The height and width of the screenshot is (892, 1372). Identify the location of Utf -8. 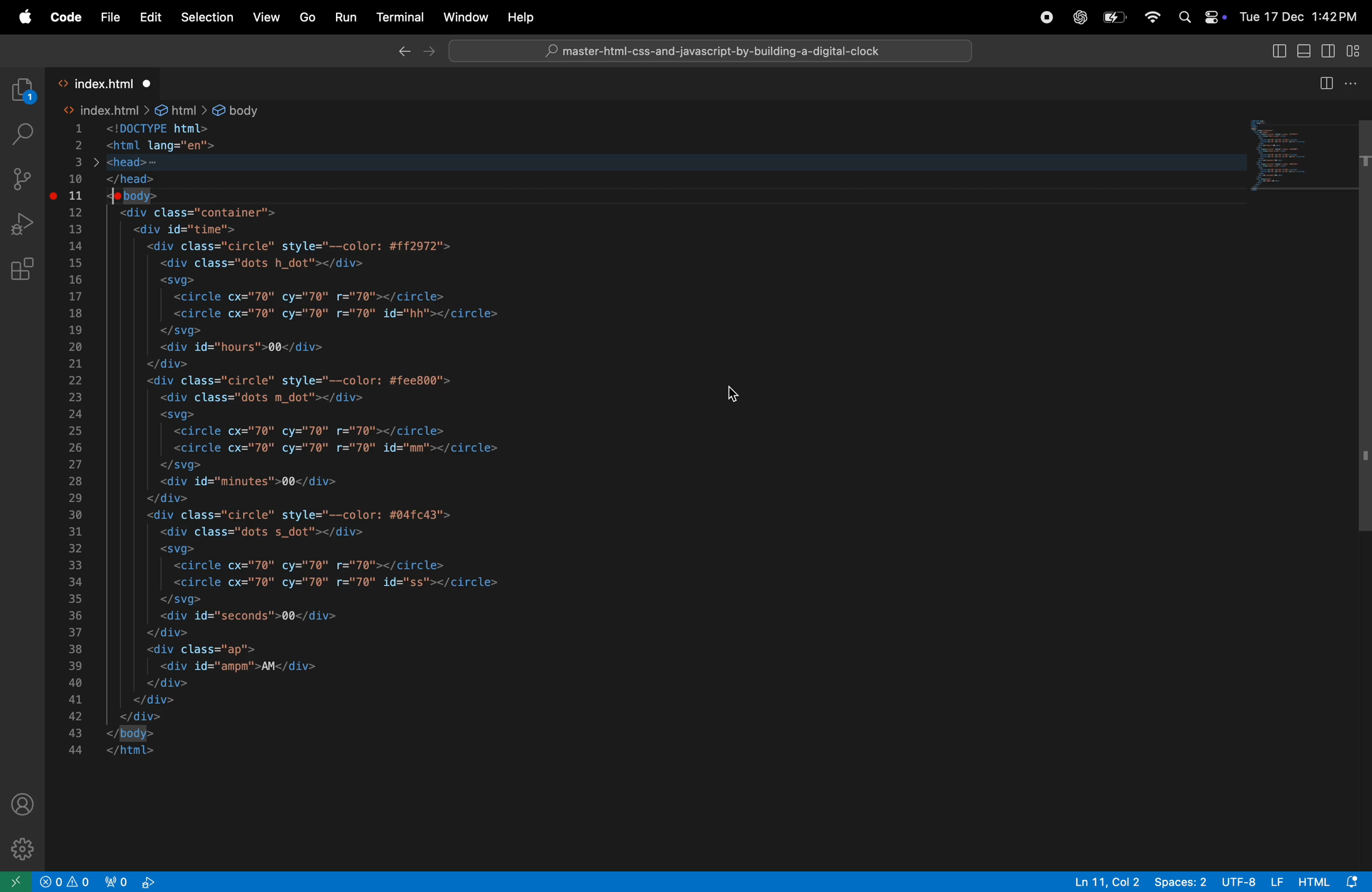
(1254, 881).